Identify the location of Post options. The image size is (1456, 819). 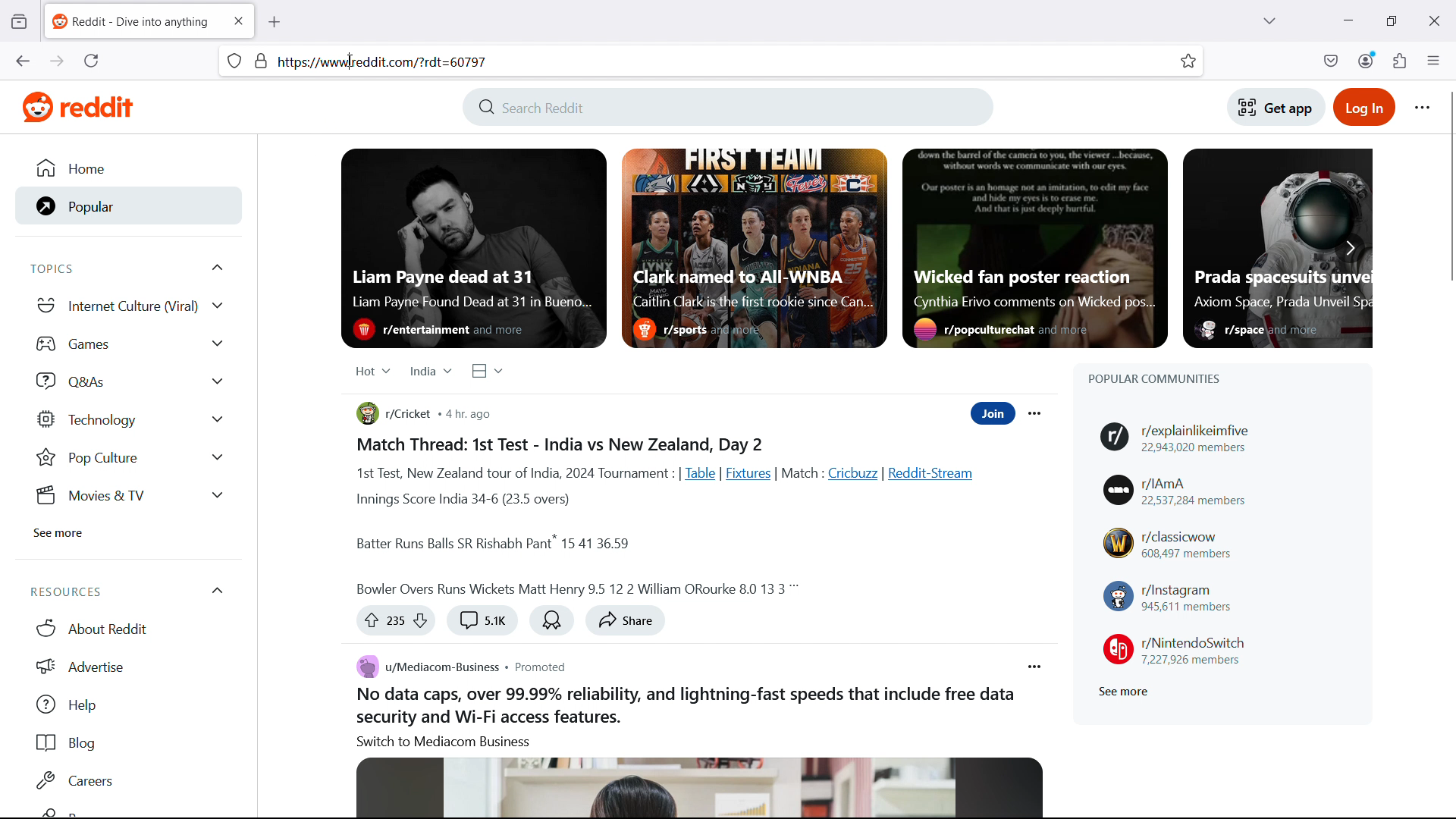
(1036, 413).